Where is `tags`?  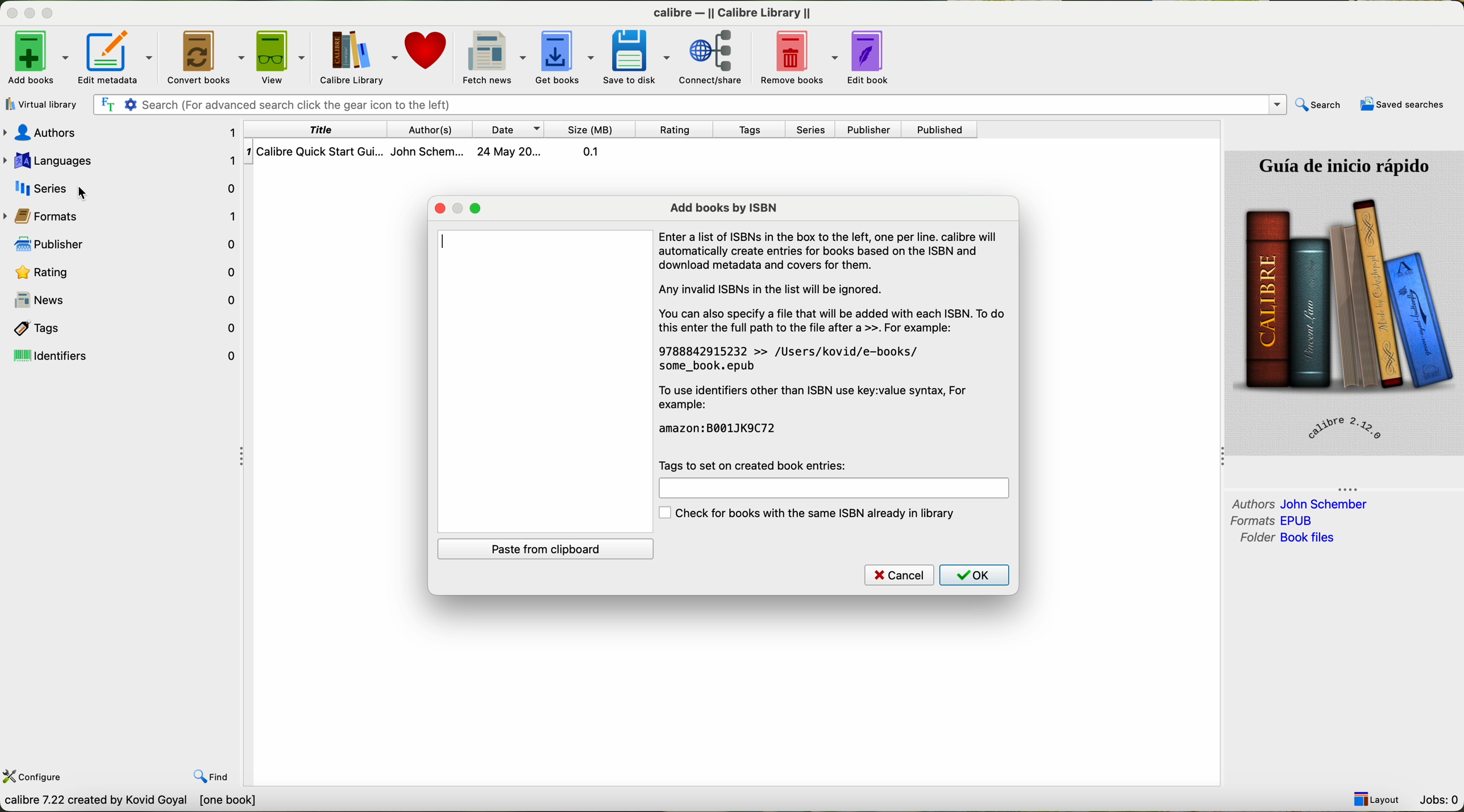 tags is located at coordinates (748, 131).